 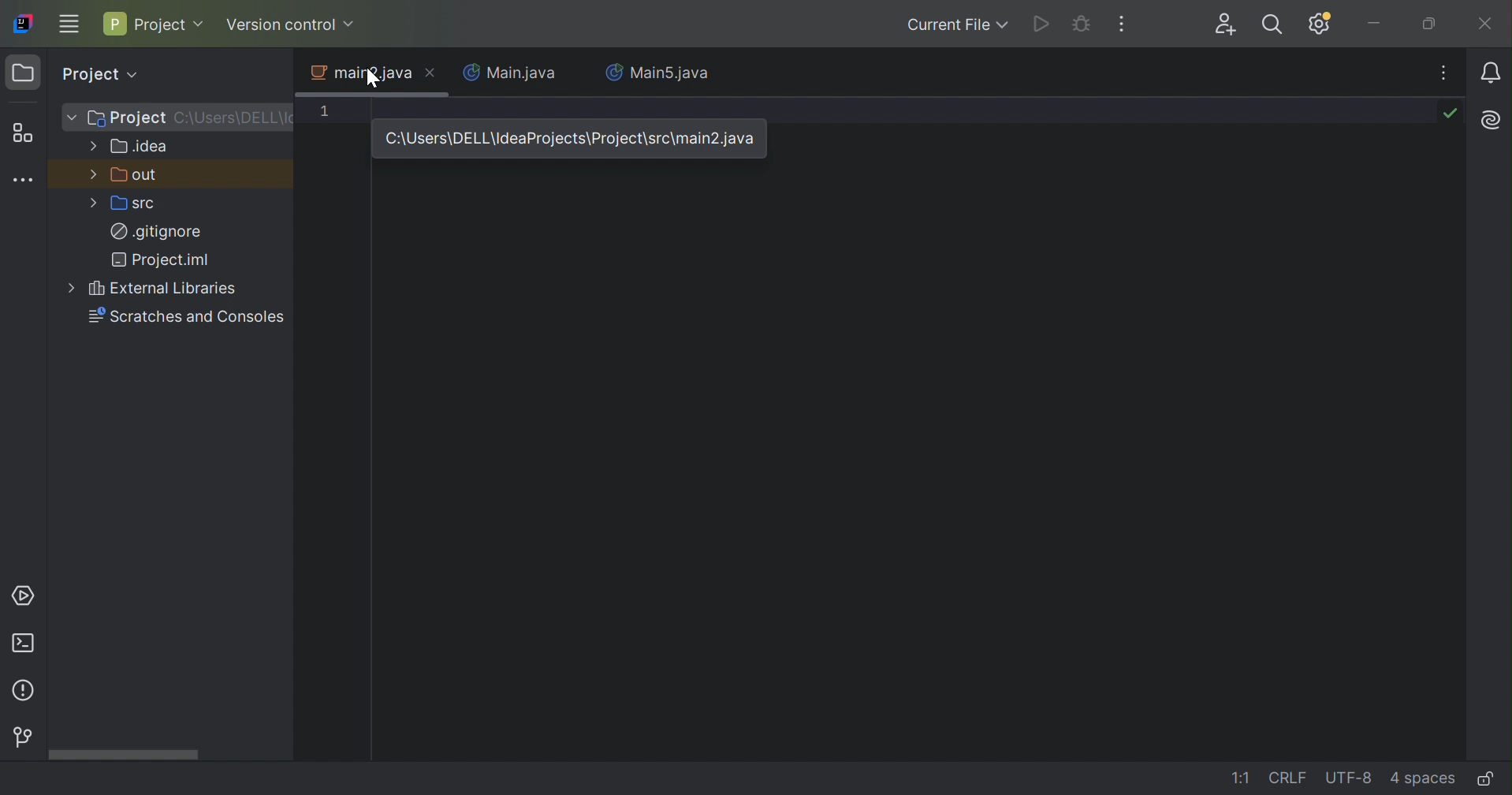 I want to click on Debug, so click(x=1084, y=23).